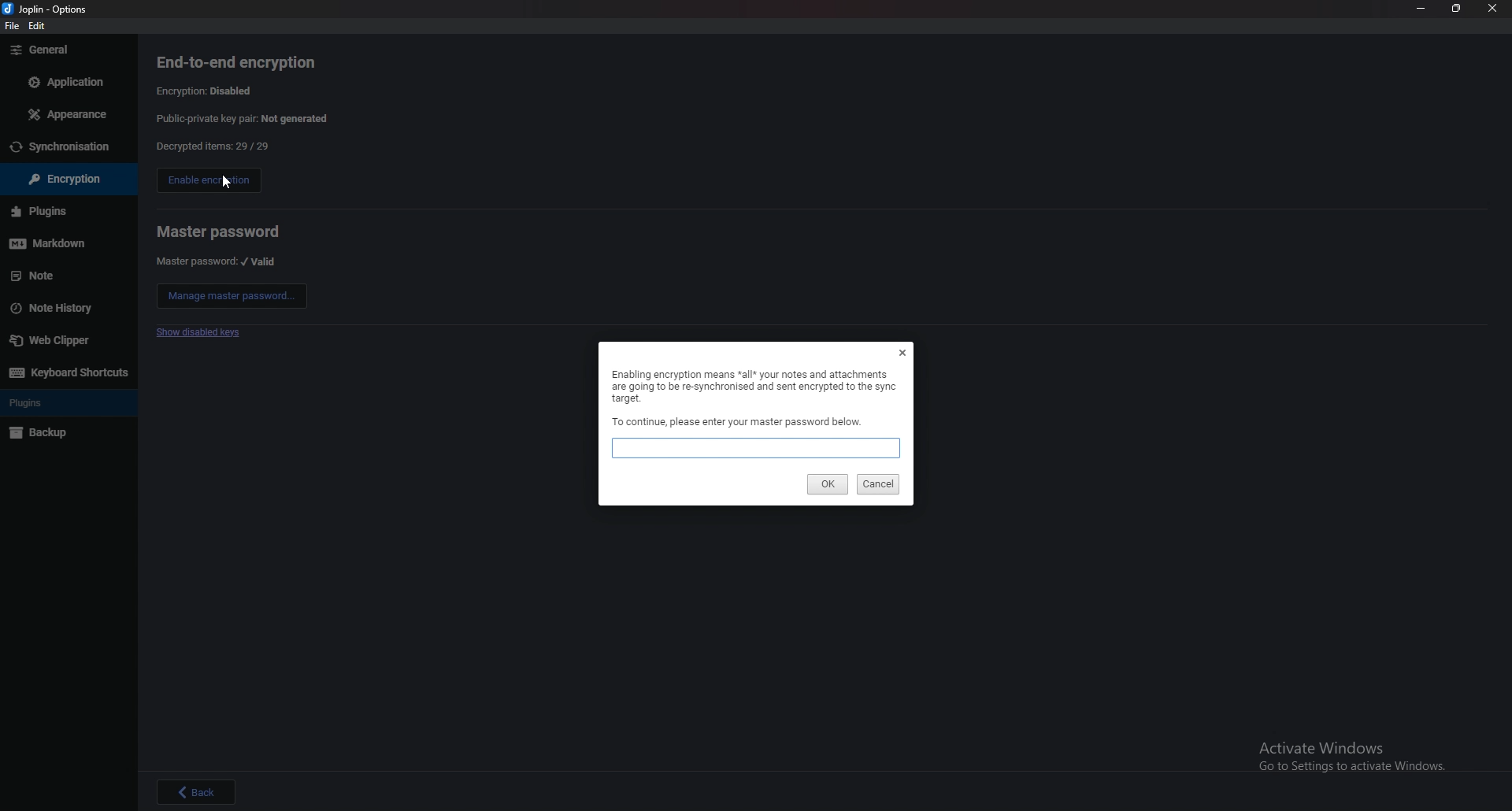 This screenshot has width=1512, height=811. Describe the element at coordinates (877, 485) in the screenshot. I see `cancel` at that location.